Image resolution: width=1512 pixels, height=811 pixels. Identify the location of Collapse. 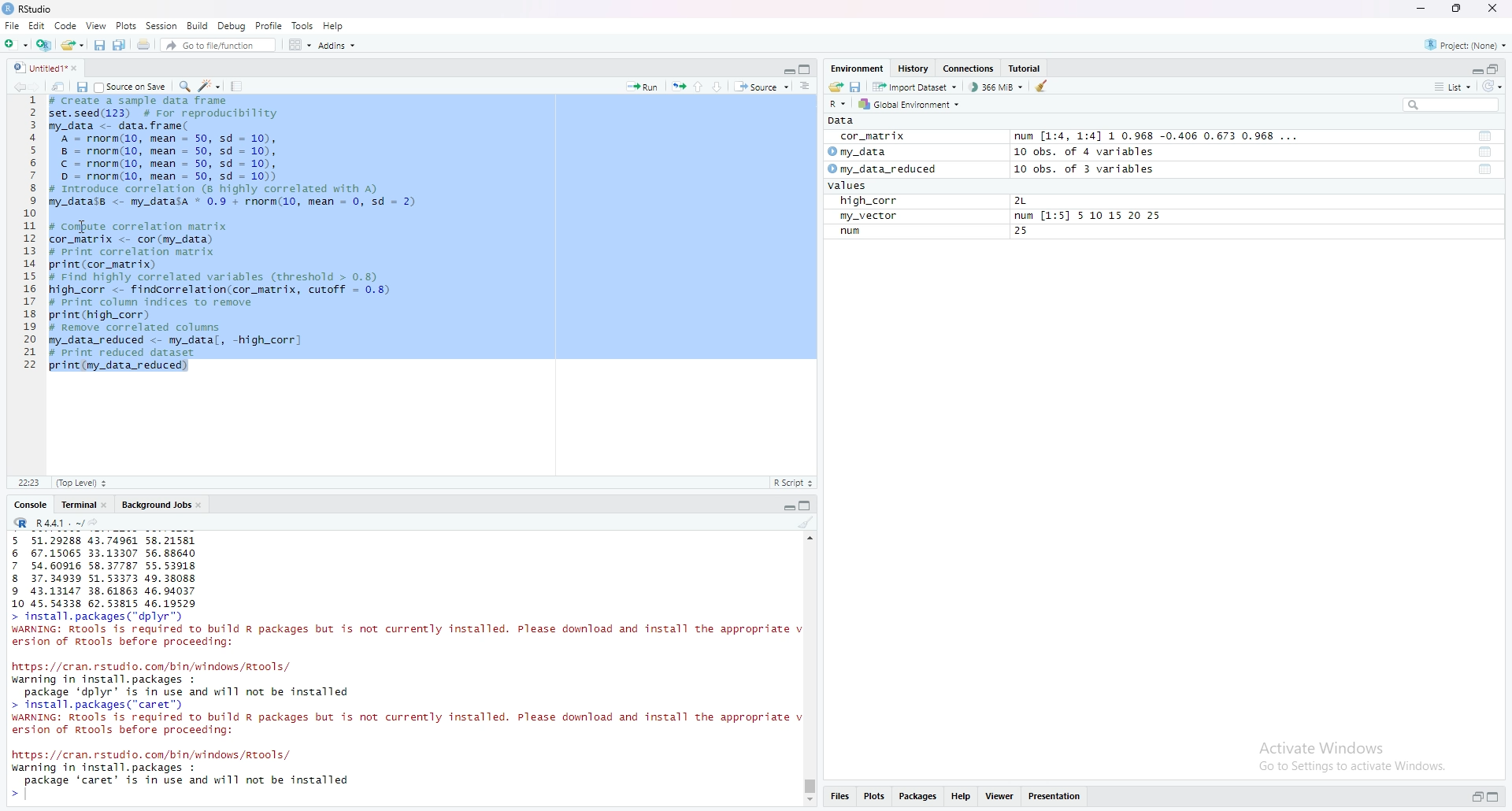
(787, 71).